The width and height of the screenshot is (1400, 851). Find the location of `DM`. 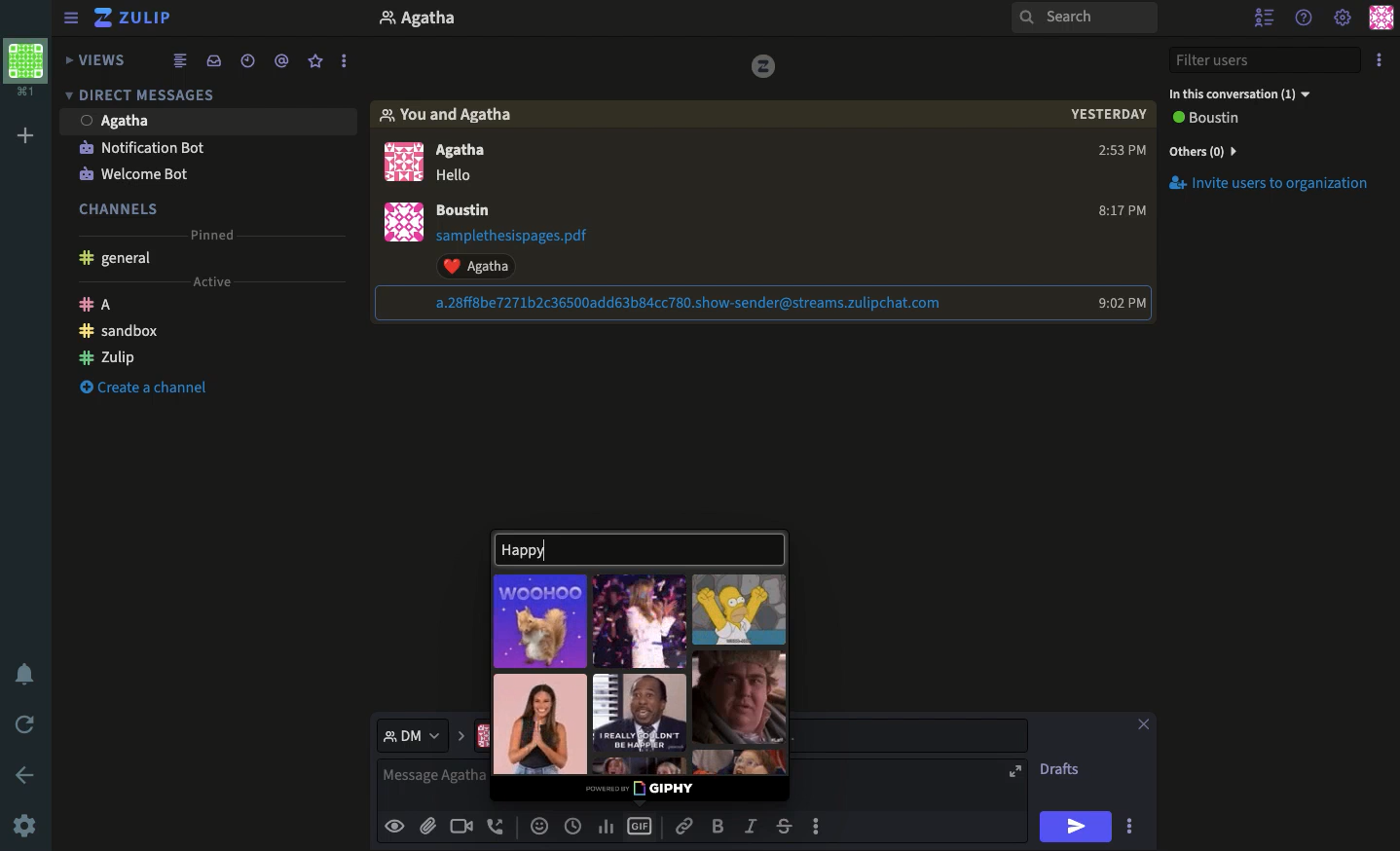

DM is located at coordinates (145, 98).